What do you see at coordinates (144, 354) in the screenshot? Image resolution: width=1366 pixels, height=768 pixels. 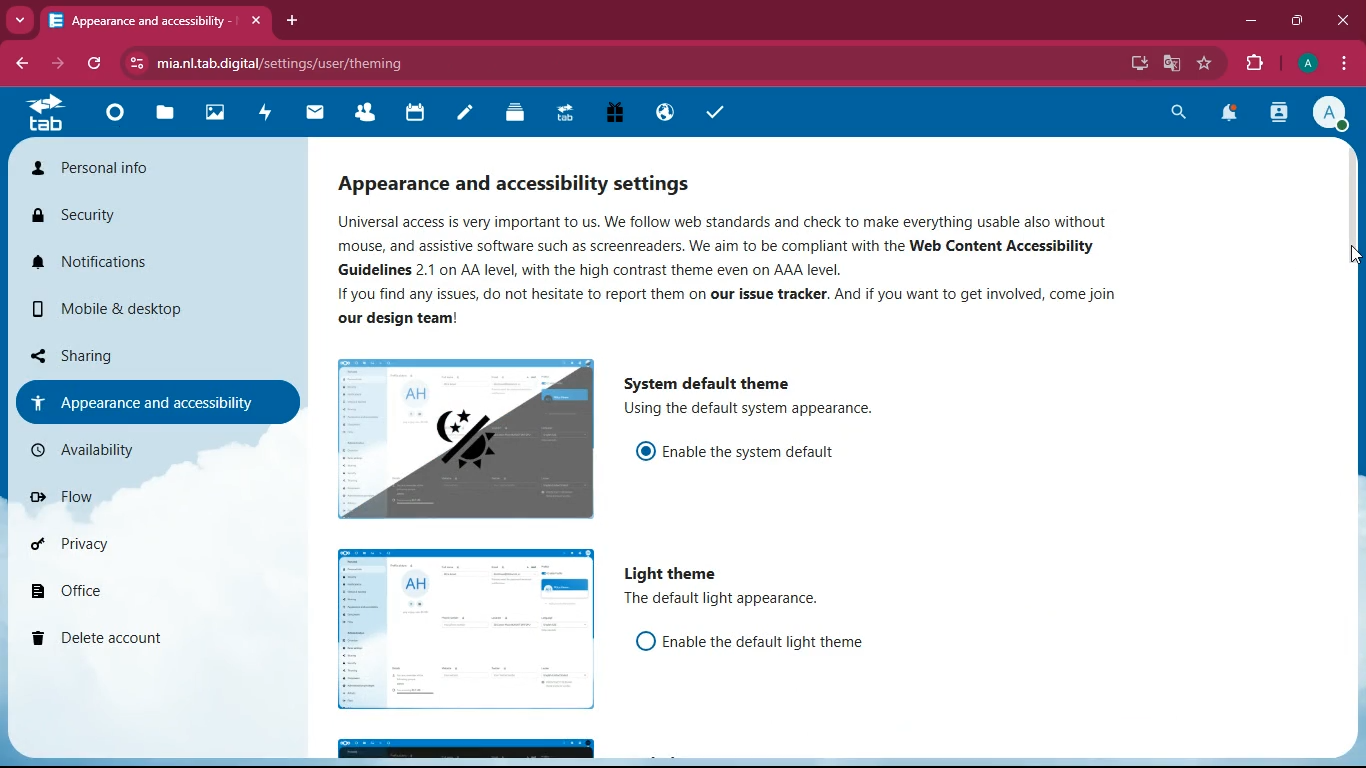 I see `sharing` at bounding box center [144, 354].